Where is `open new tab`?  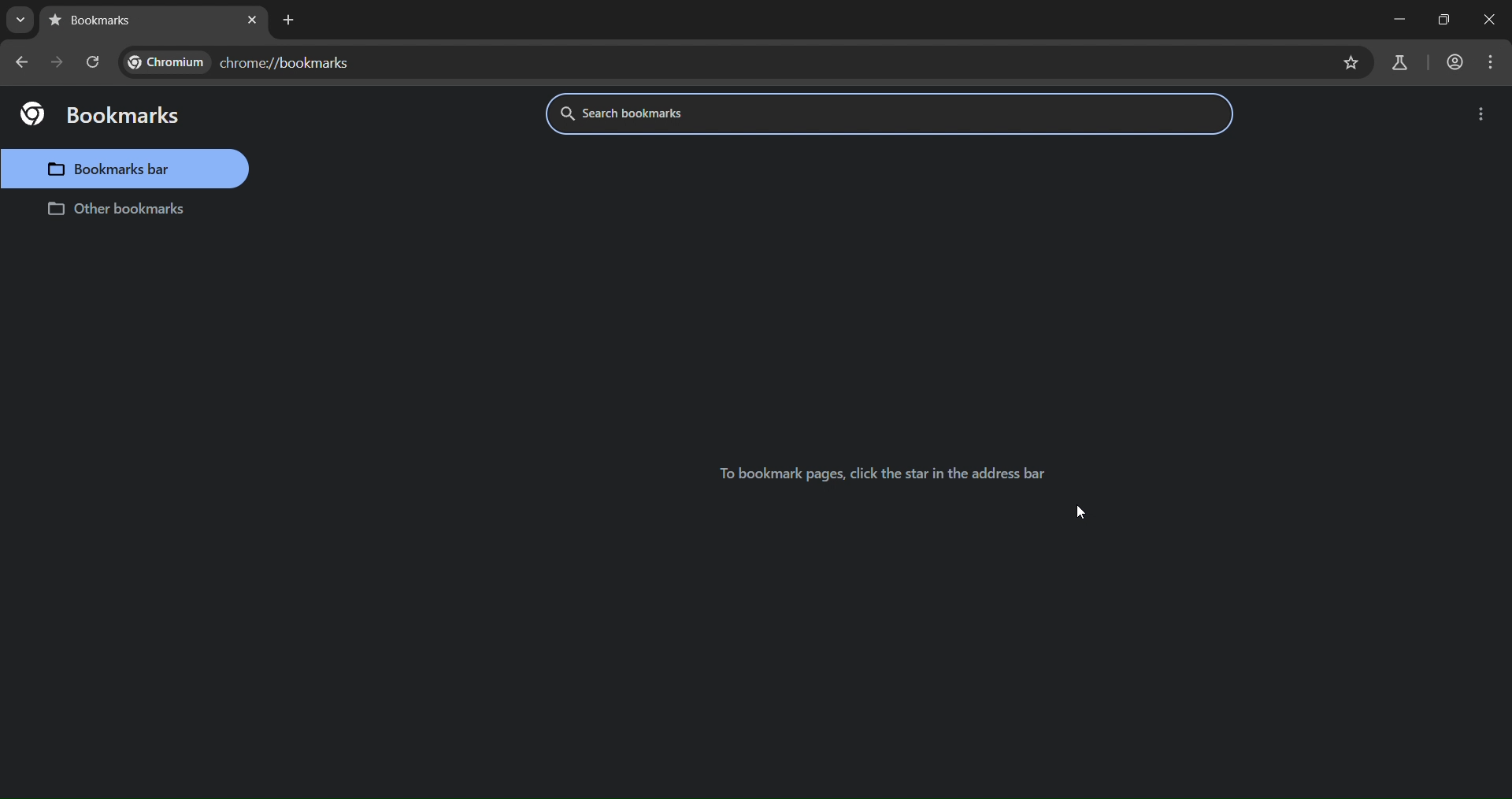
open new tab is located at coordinates (287, 19).